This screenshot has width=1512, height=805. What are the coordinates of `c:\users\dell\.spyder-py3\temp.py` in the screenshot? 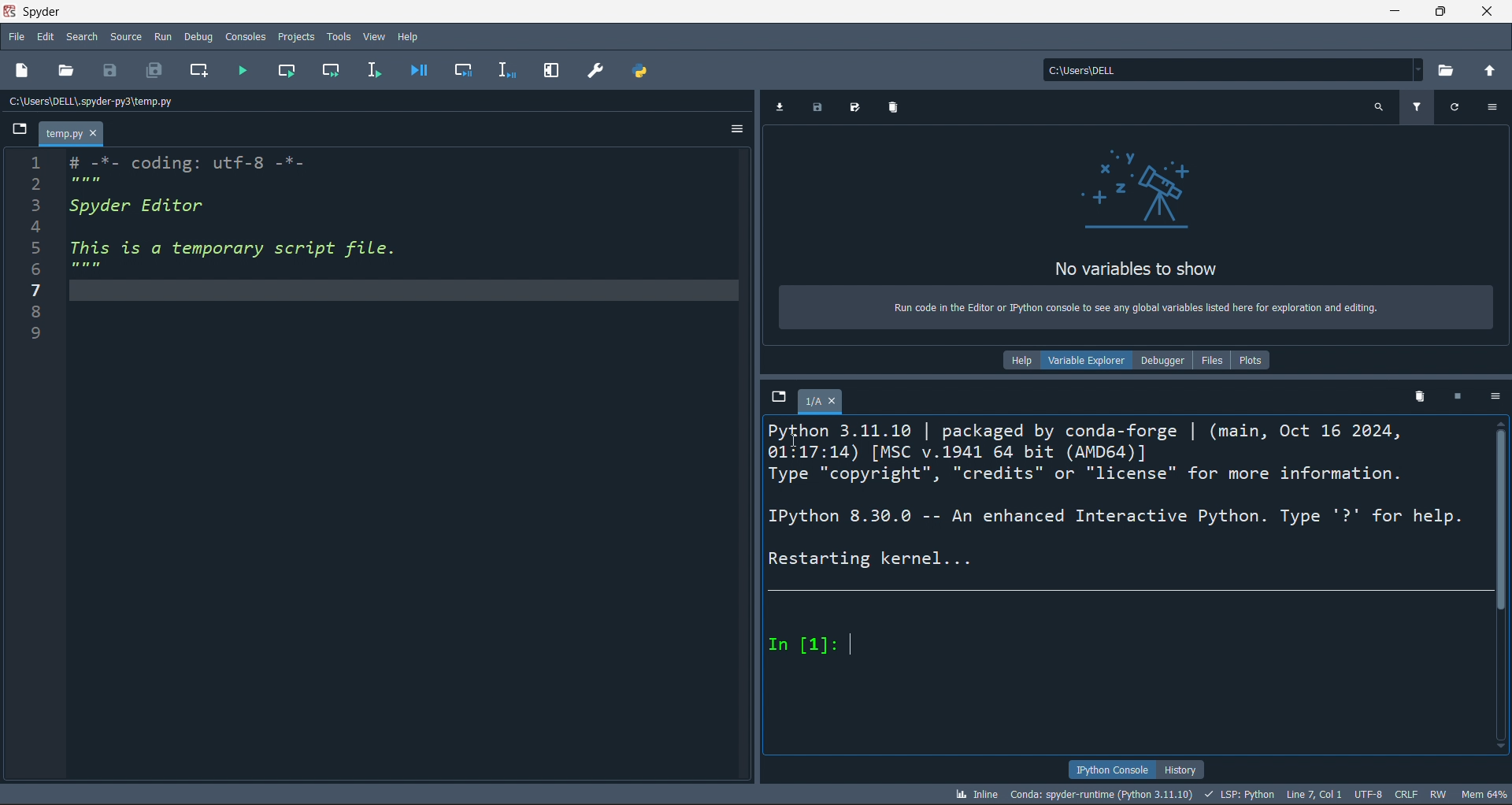 It's located at (91, 102).